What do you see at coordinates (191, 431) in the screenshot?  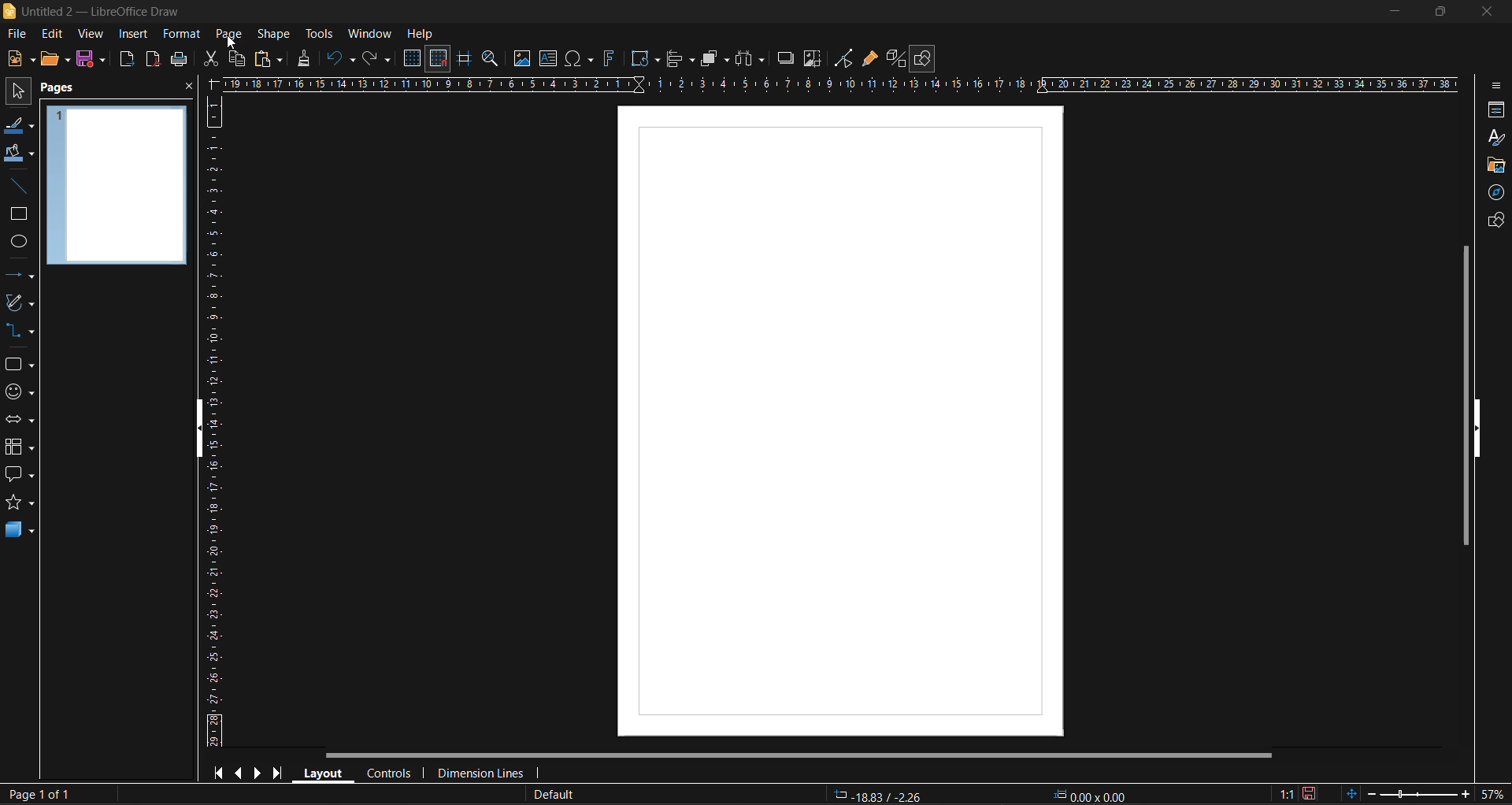 I see `hide` at bounding box center [191, 431].